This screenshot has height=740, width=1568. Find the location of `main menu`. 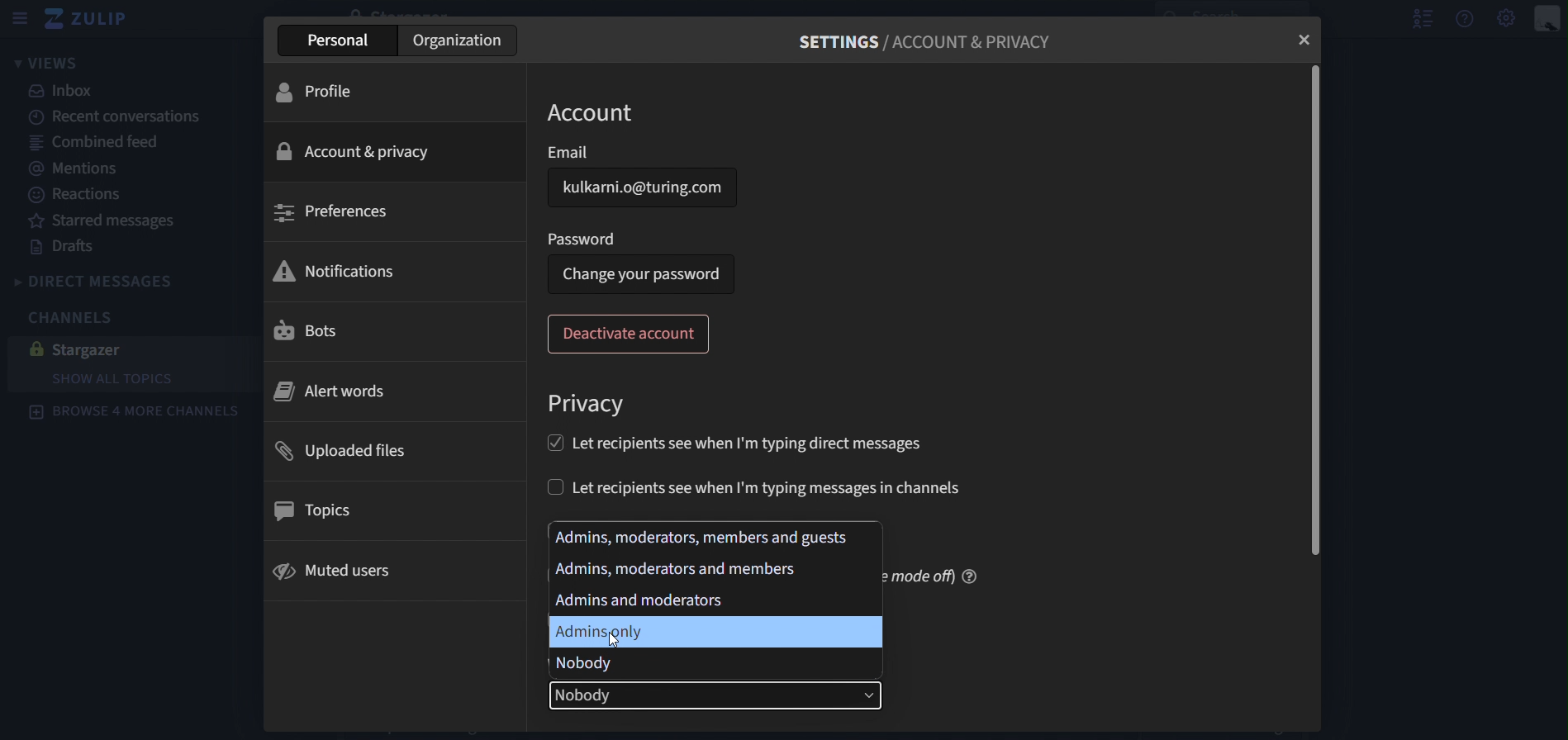

main menu is located at coordinates (1504, 20).